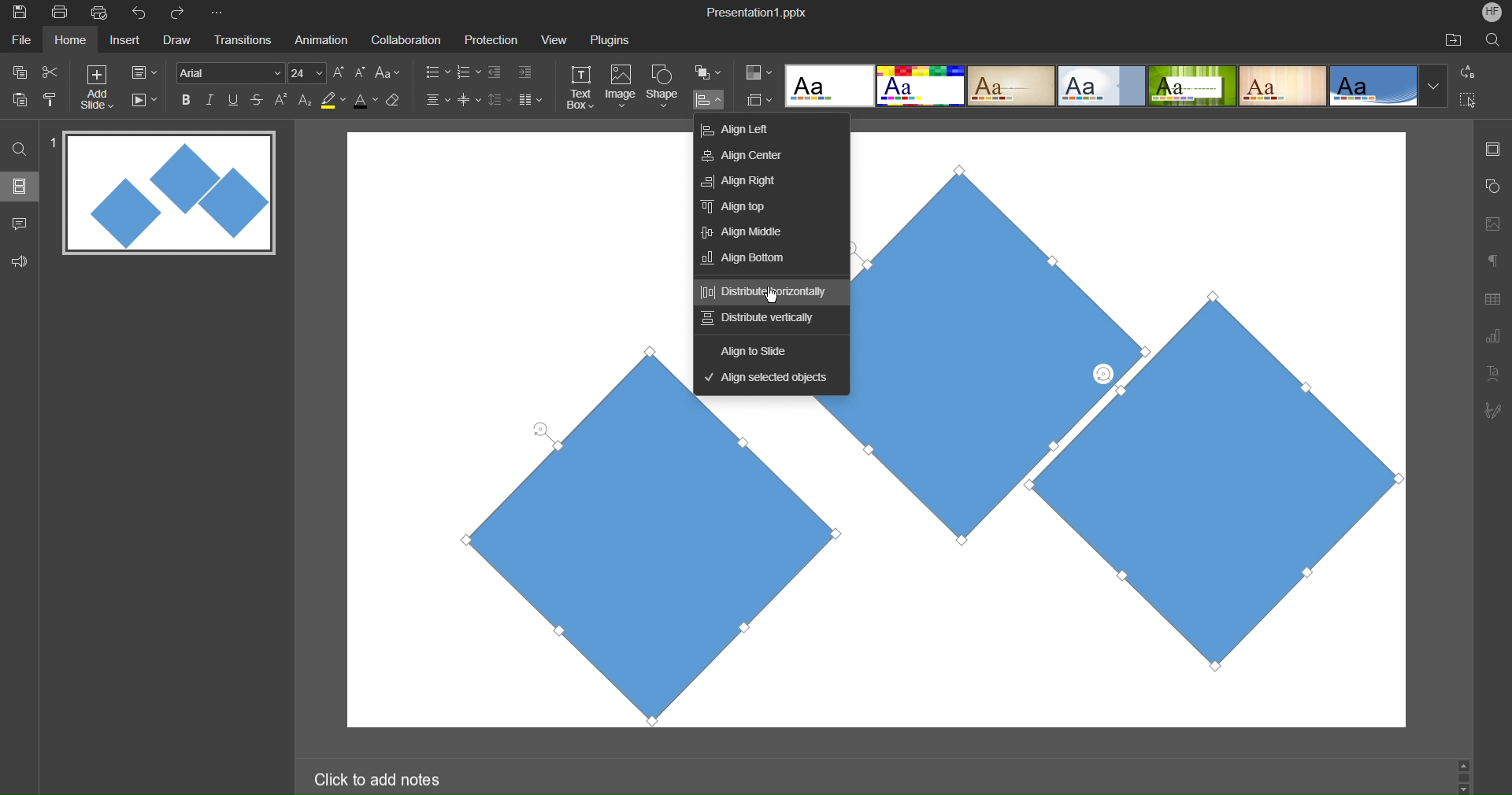  What do you see at coordinates (664, 88) in the screenshot?
I see `Shape` at bounding box center [664, 88].